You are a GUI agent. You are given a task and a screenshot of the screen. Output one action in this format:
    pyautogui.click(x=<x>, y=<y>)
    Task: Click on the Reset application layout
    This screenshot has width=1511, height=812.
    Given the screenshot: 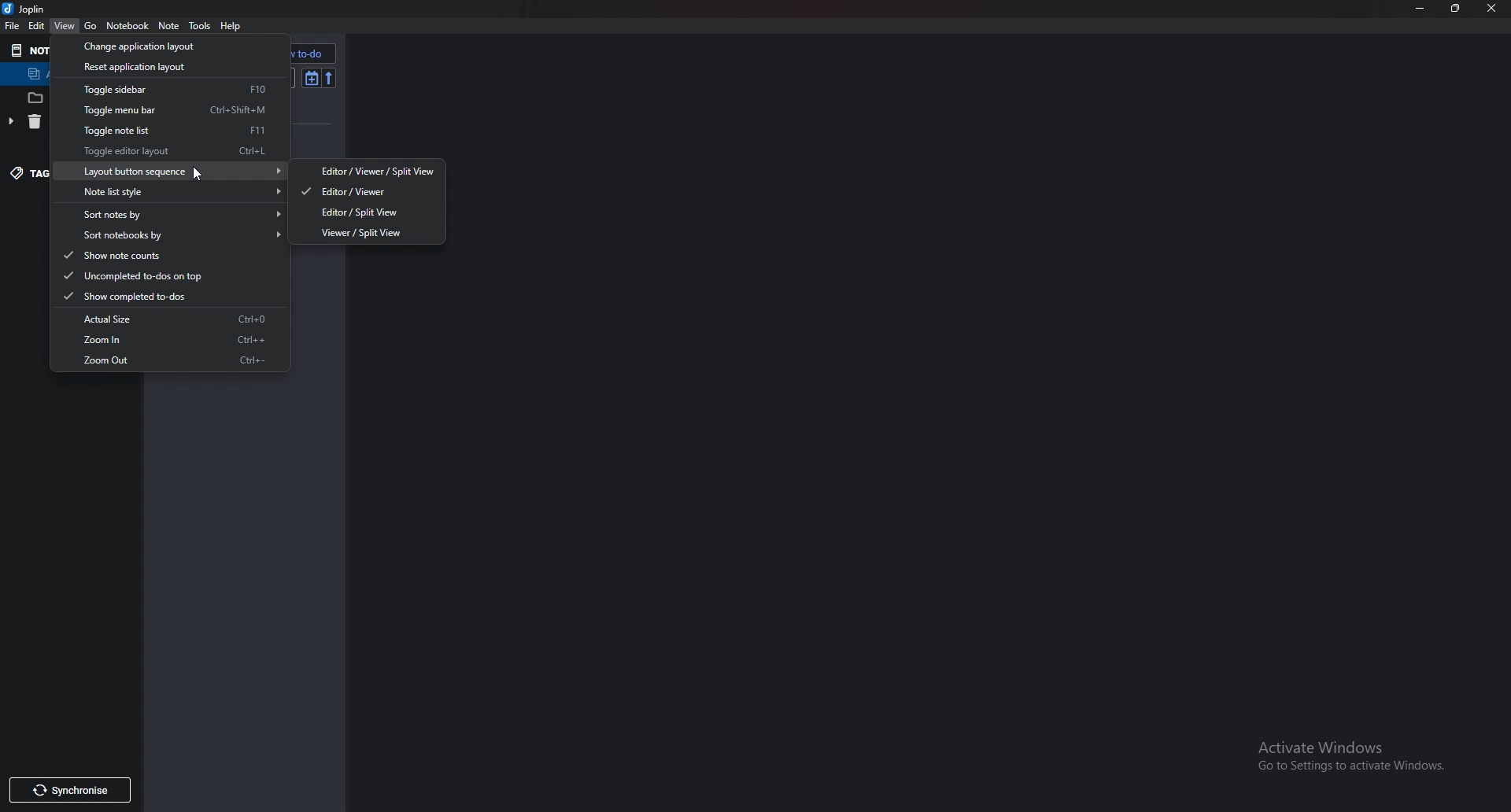 What is the action you would take?
    pyautogui.click(x=161, y=65)
    